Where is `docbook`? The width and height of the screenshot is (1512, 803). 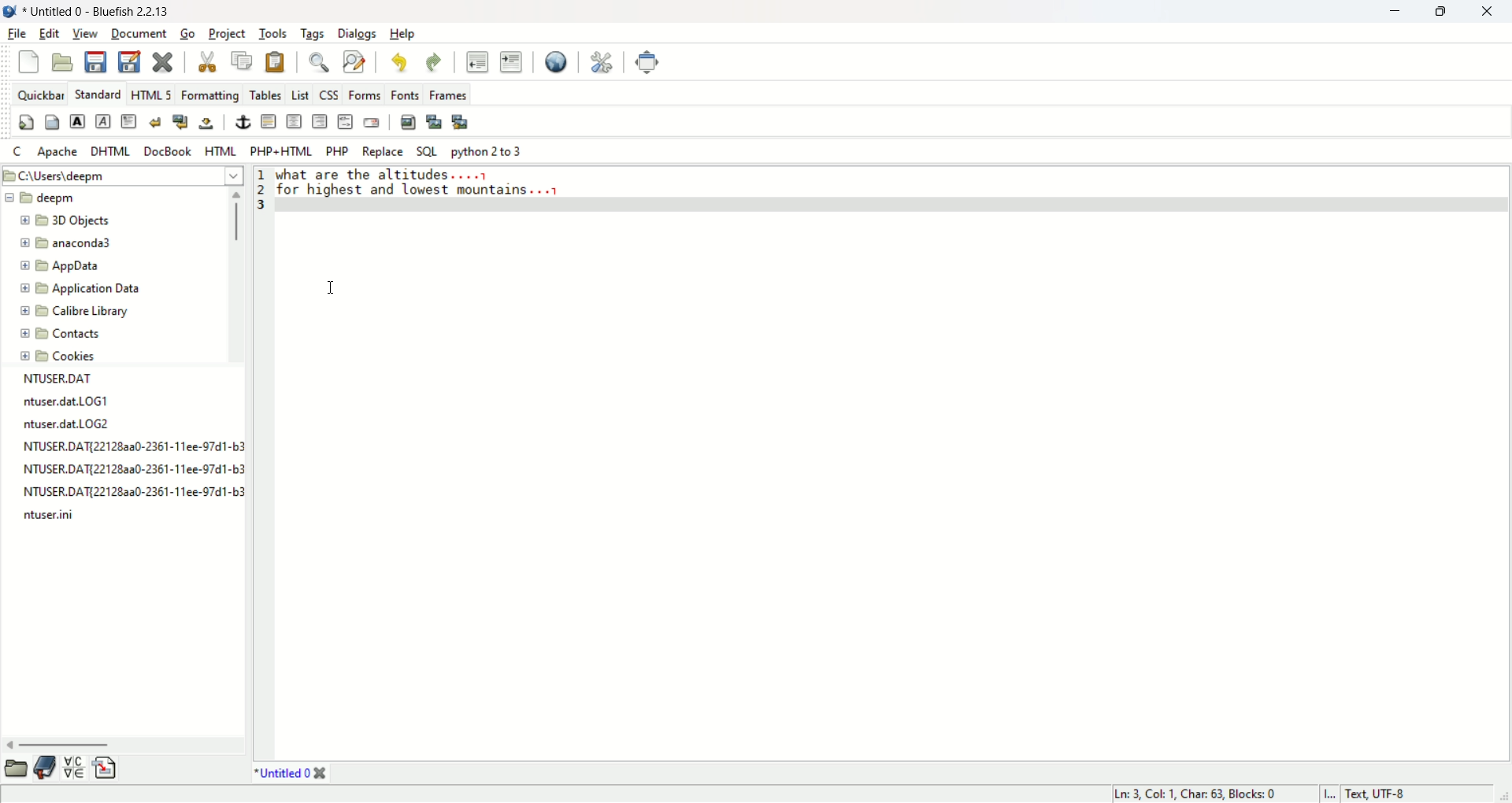
docbook is located at coordinates (169, 151).